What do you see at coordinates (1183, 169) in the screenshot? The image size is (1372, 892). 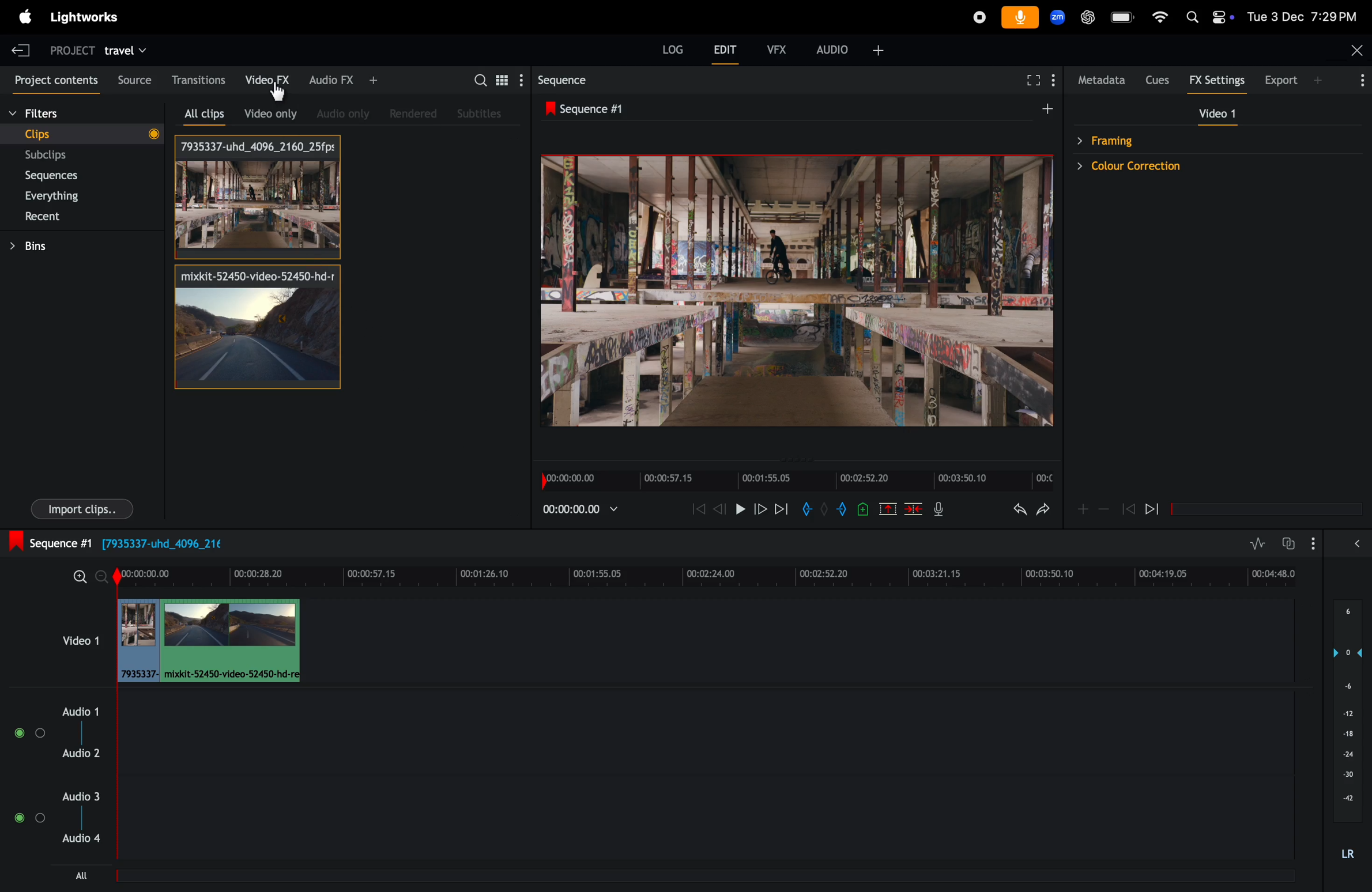 I see `color correction` at bounding box center [1183, 169].